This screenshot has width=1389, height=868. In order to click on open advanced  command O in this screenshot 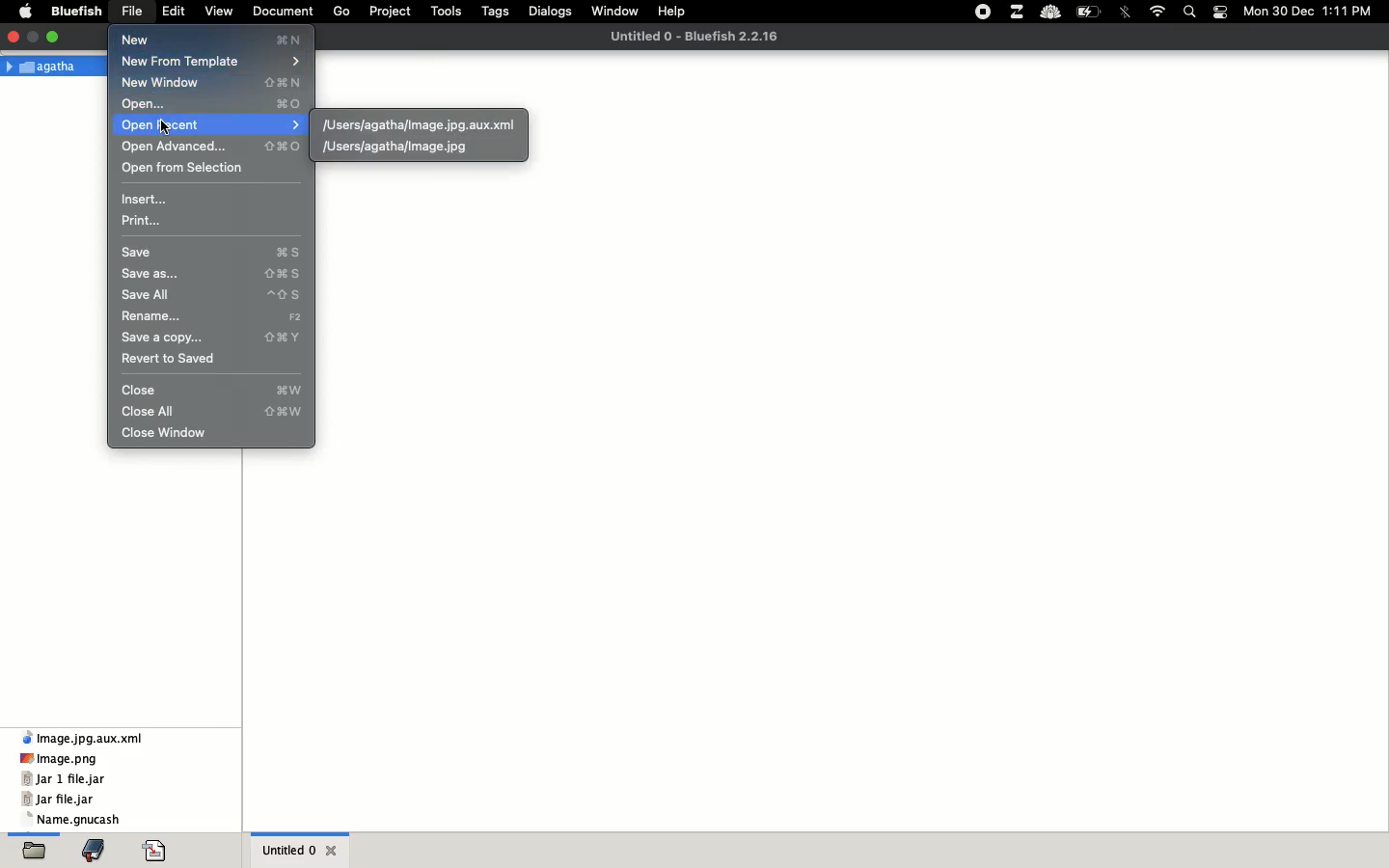, I will do `click(213, 146)`.